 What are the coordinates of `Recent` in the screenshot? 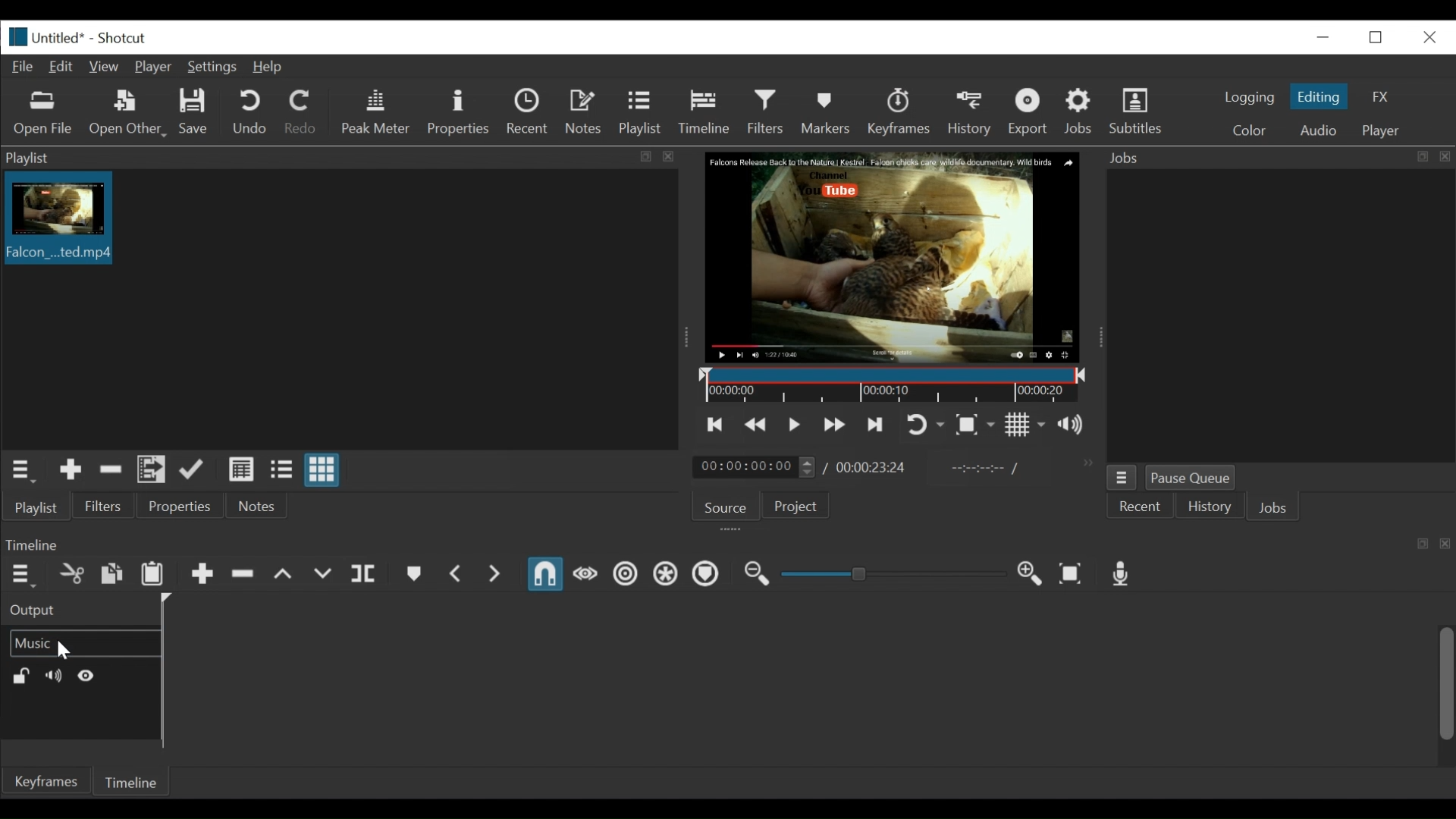 It's located at (529, 113).